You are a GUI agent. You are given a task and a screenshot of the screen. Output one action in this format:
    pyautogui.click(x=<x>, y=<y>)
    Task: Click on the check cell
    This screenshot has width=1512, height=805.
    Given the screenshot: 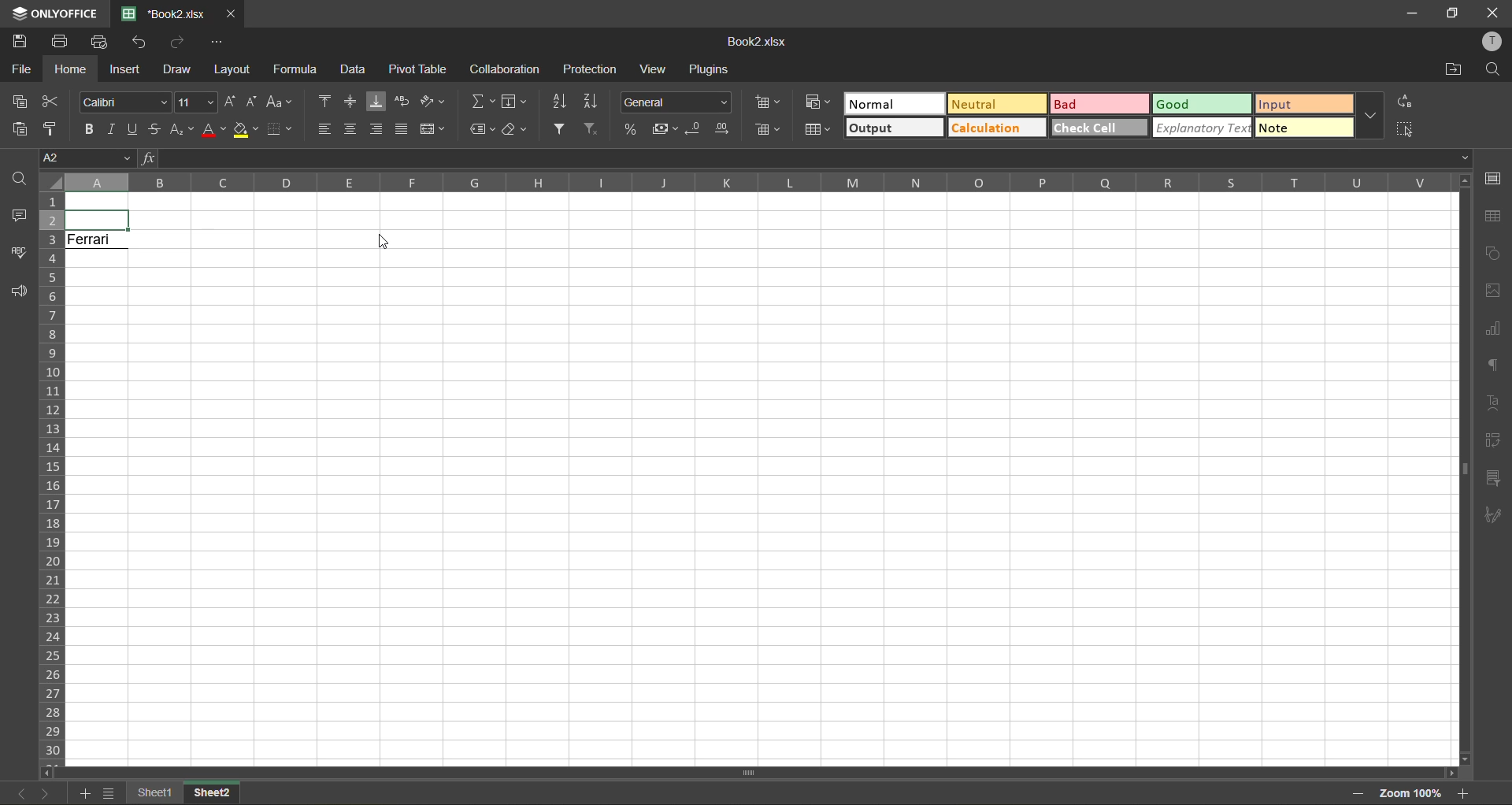 What is the action you would take?
    pyautogui.click(x=1100, y=129)
    